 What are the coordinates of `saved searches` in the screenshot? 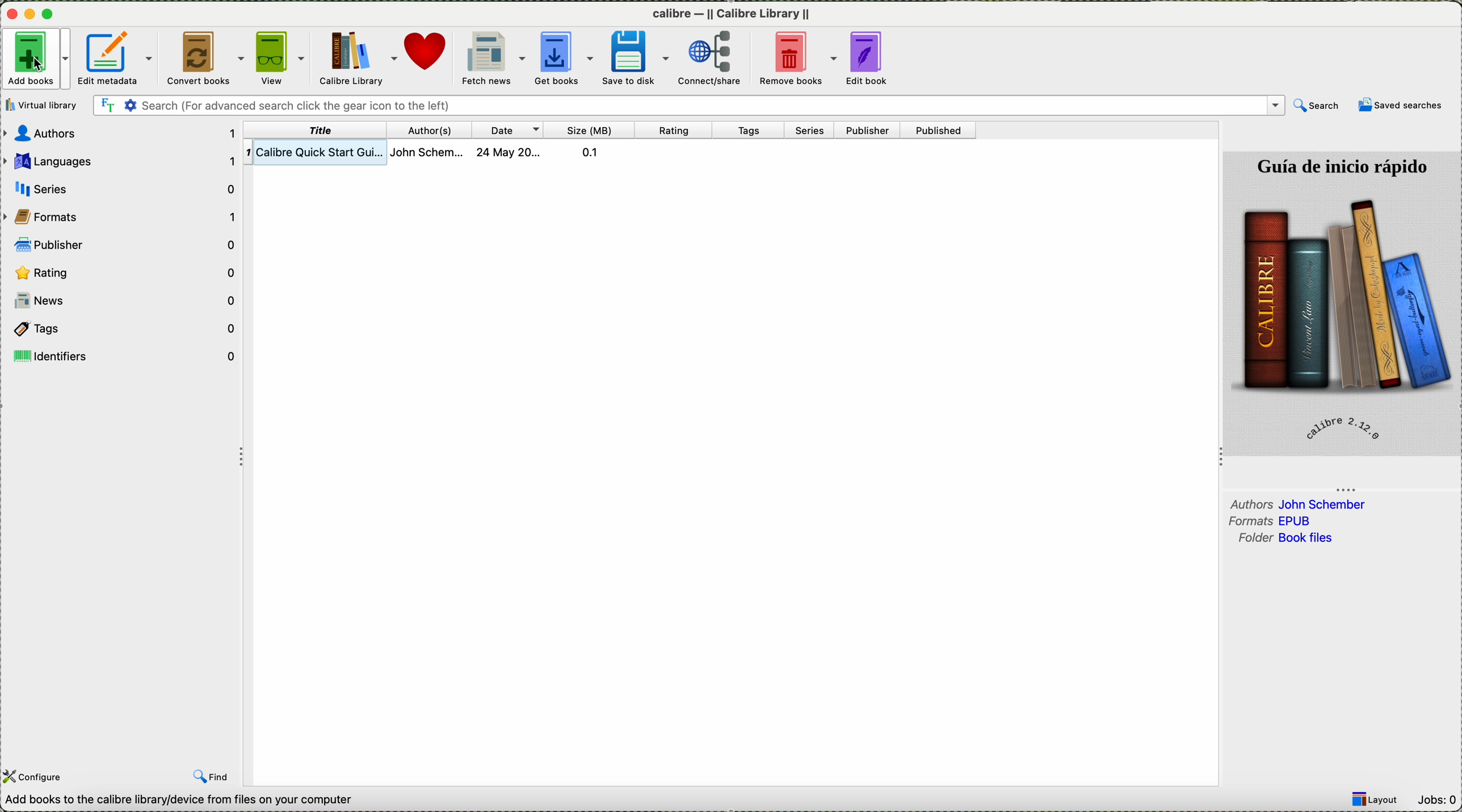 It's located at (1400, 107).